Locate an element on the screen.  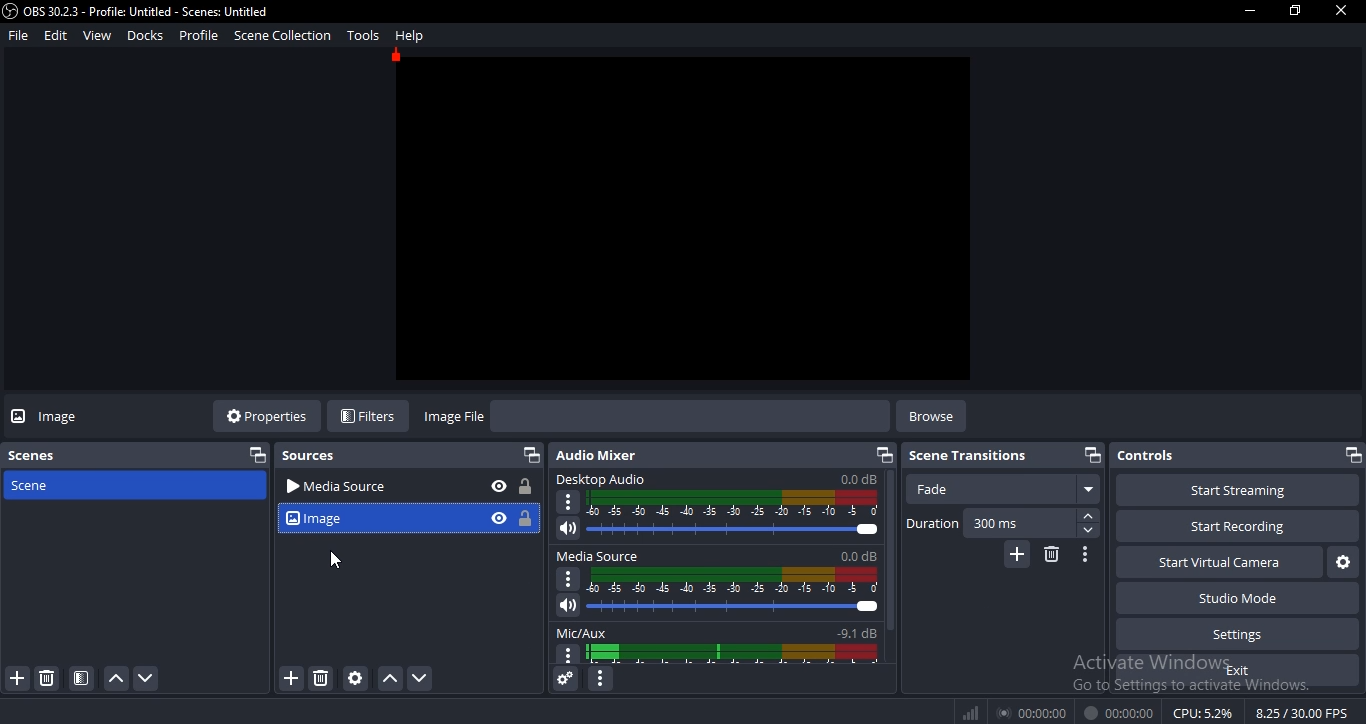
edit is located at coordinates (55, 35).